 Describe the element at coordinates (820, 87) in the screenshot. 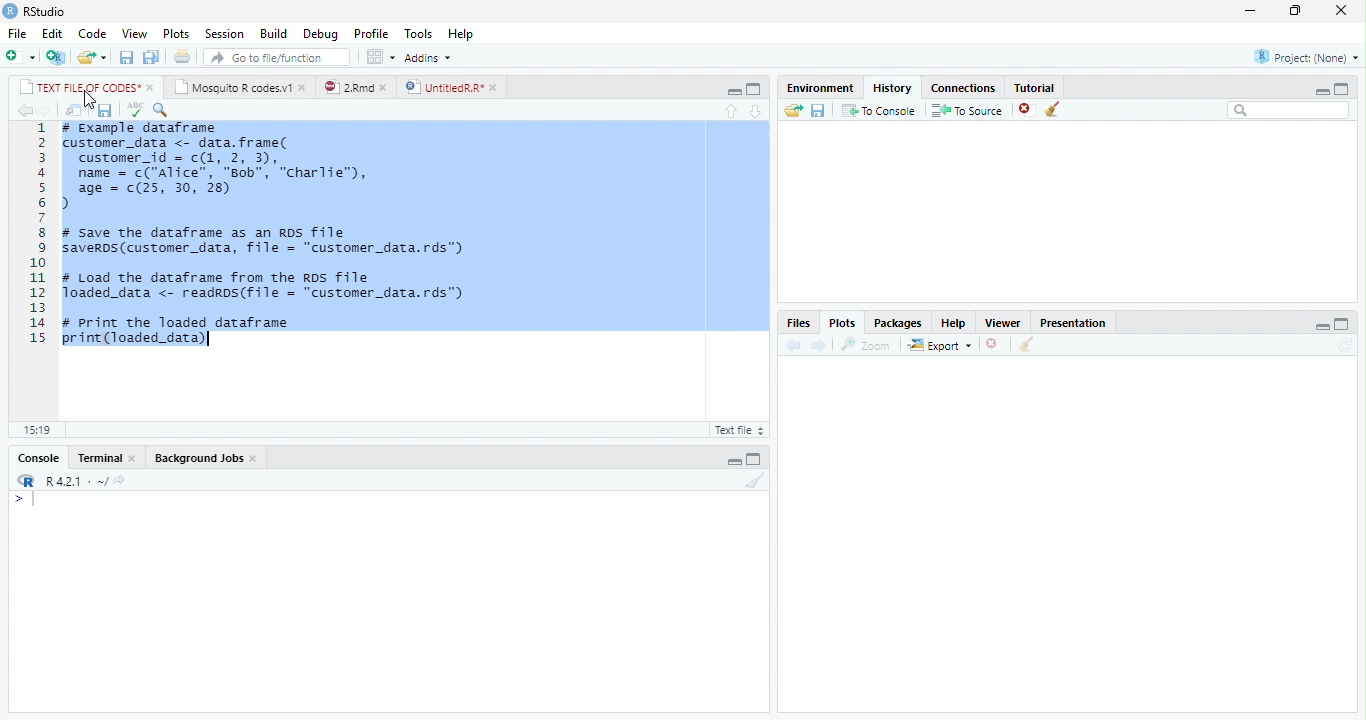

I see `Environment` at that location.